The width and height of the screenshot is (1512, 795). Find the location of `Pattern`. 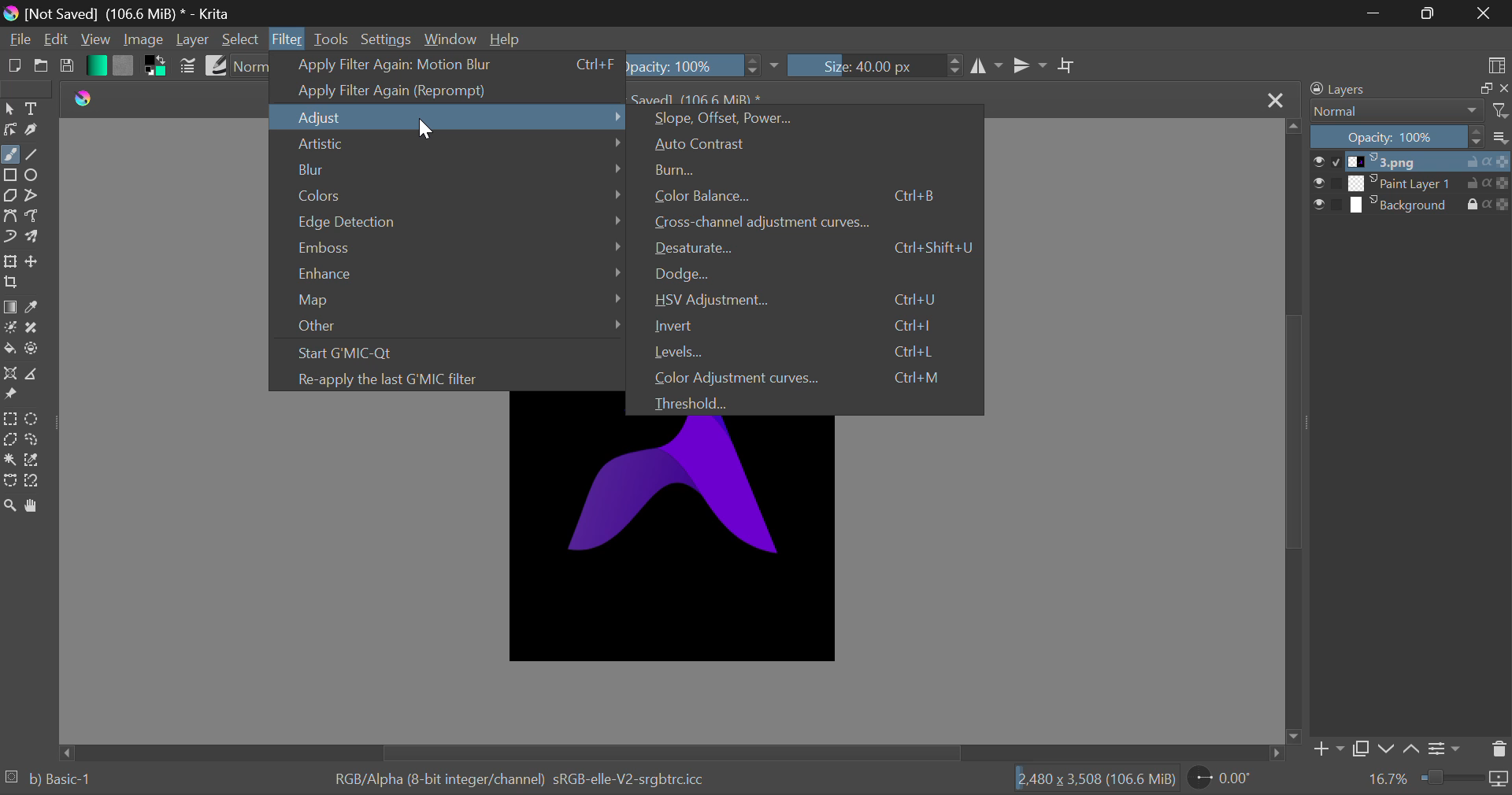

Pattern is located at coordinates (124, 65).